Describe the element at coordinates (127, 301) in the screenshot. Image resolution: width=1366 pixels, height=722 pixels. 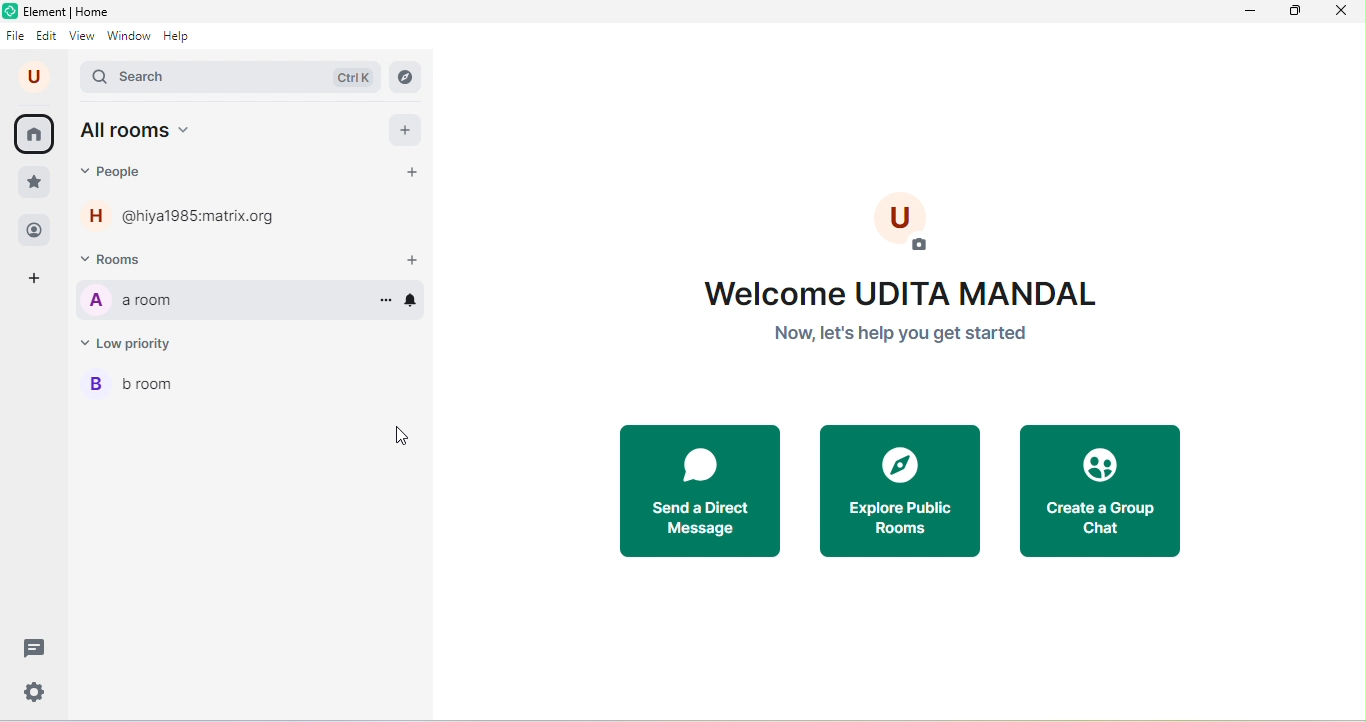
I see `a room` at that location.